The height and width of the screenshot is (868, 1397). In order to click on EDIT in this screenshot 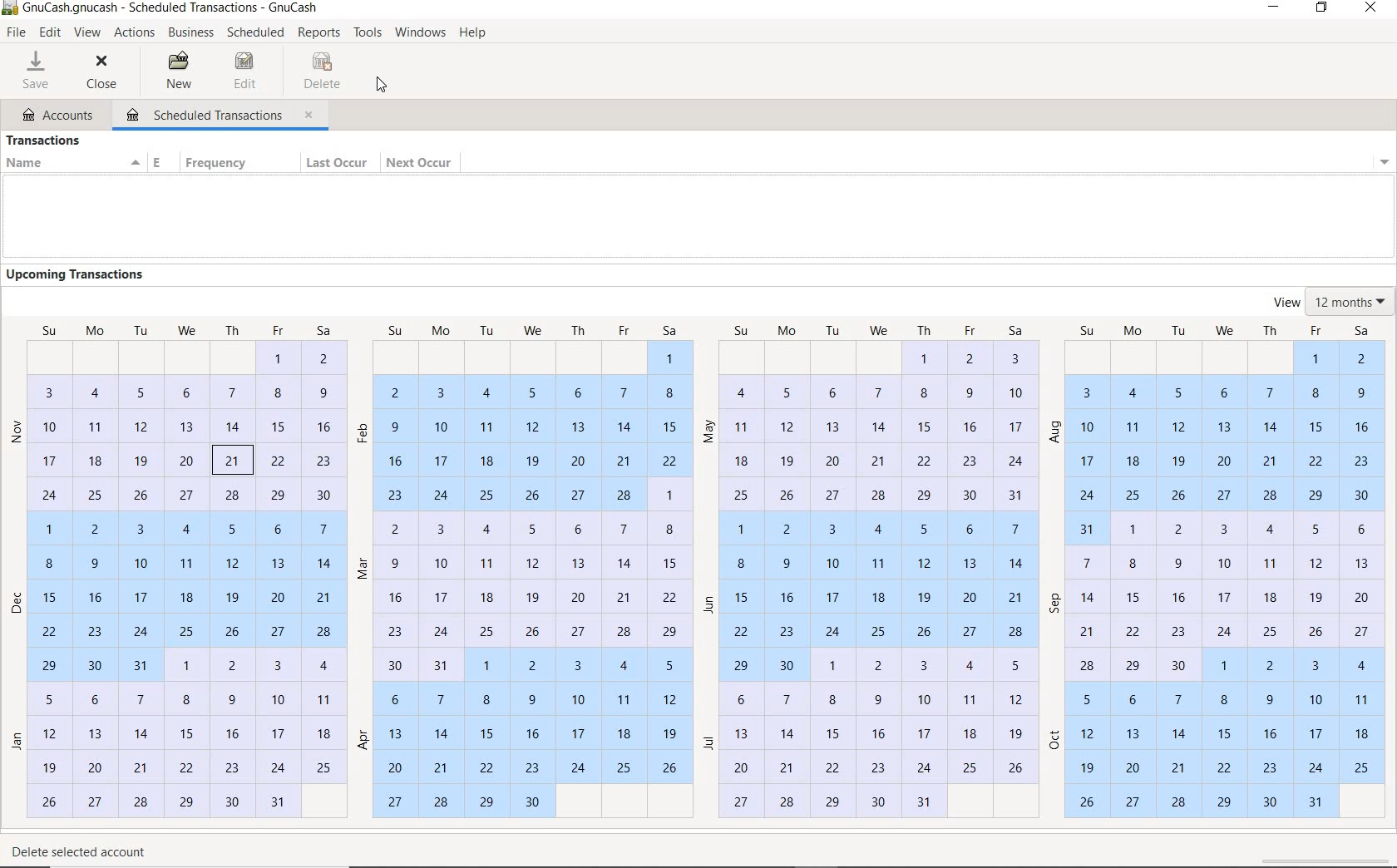, I will do `click(51, 33)`.